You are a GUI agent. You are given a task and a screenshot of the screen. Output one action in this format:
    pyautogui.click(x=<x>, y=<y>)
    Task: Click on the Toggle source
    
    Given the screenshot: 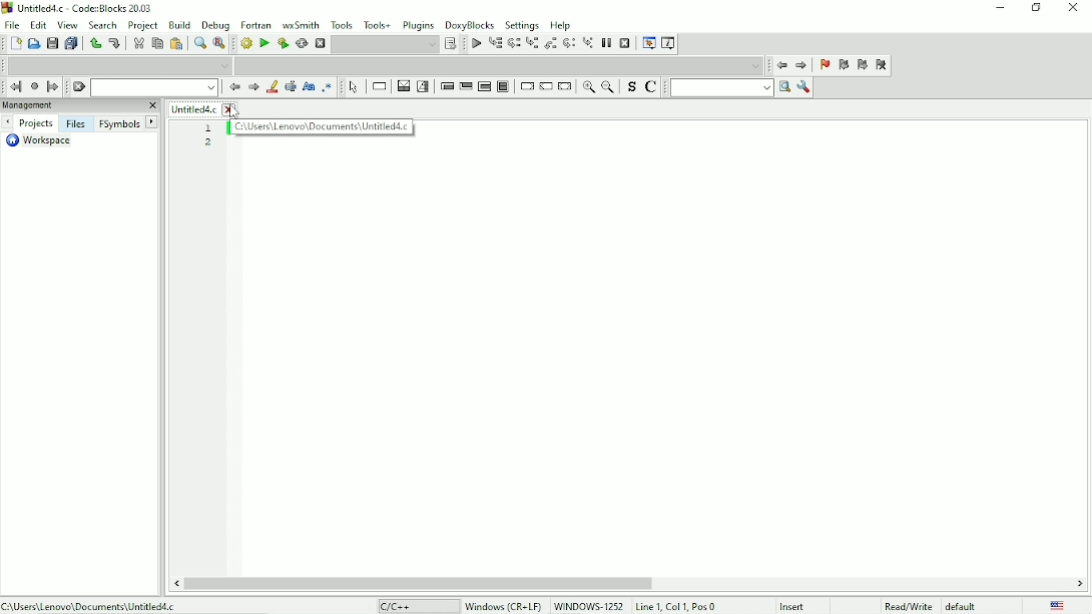 What is the action you would take?
    pyautogui.click(x=631, y=87)
    